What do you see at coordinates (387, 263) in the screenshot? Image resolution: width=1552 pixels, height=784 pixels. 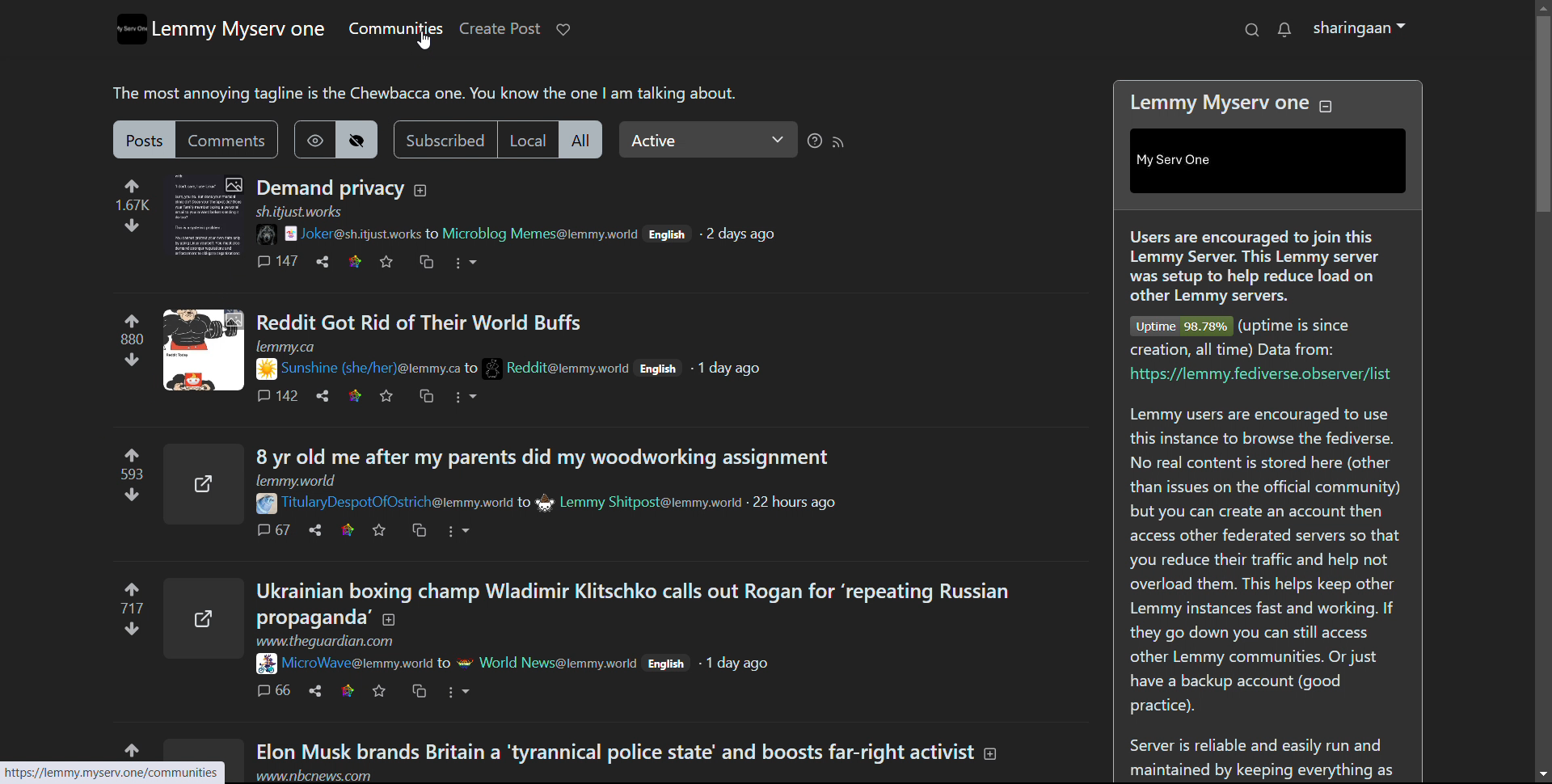 I see `save` at bounding box center [387, 263].